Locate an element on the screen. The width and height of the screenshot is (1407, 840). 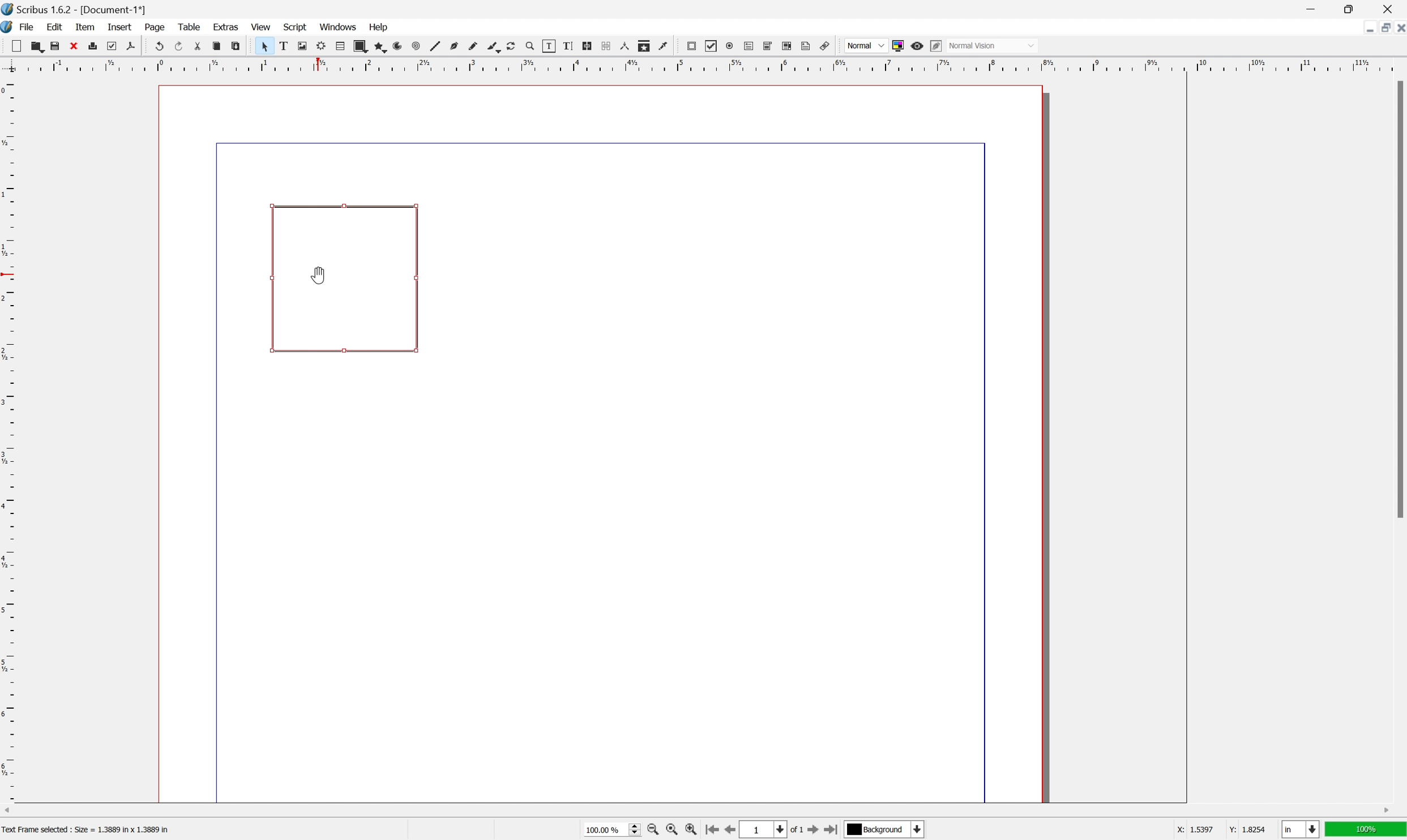
table is located at coordinates (189, 27).